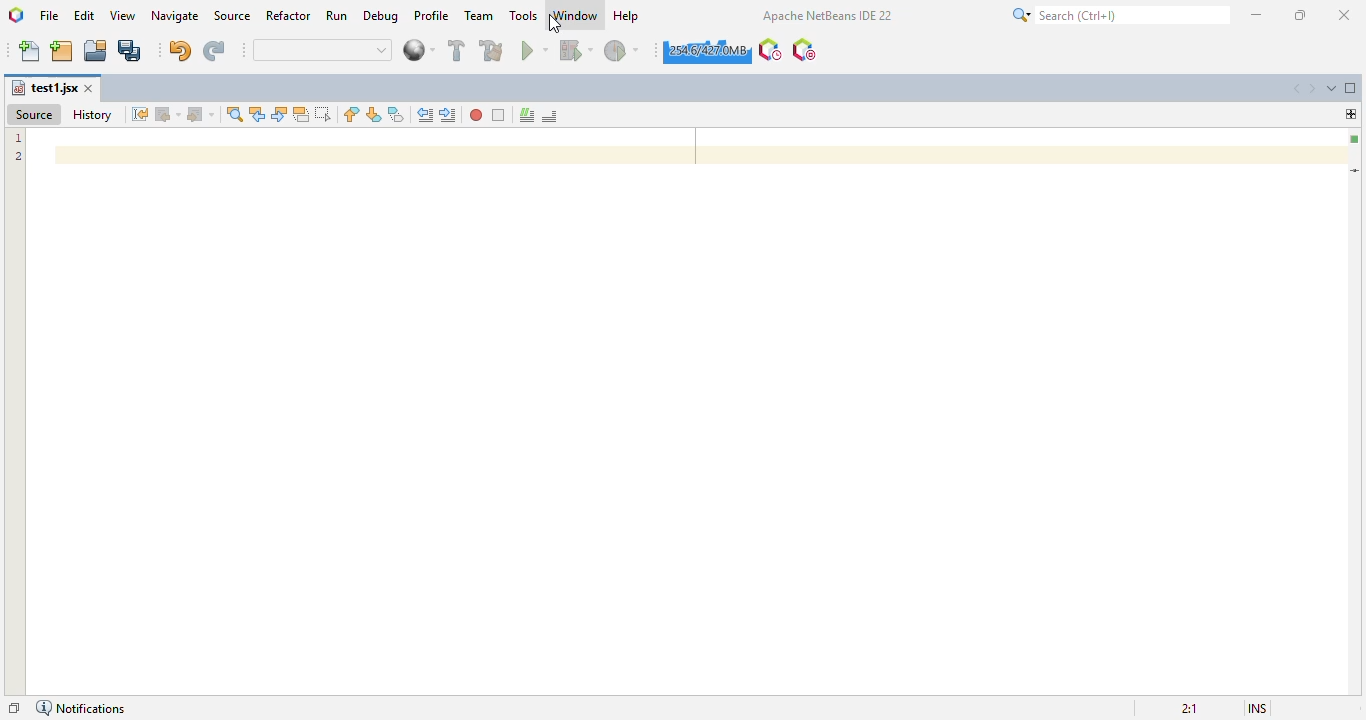  What do you see at coordinates (13, 708) in the screenshot?
I see `restore window group` at bounding box center [13, 708].